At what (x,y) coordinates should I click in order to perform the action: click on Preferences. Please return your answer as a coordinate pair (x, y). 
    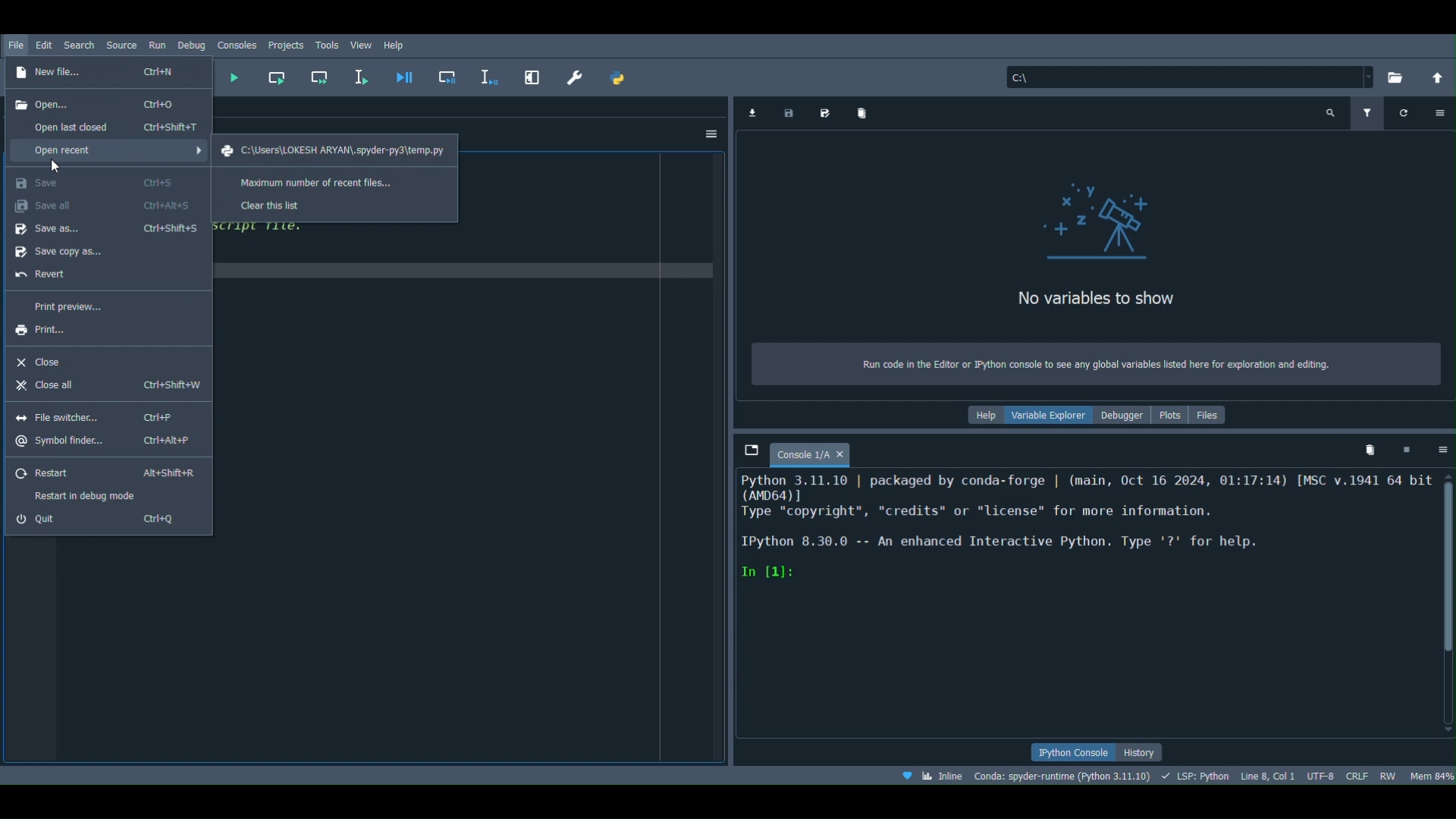
    Looking at the image, I should click on (577, 77).